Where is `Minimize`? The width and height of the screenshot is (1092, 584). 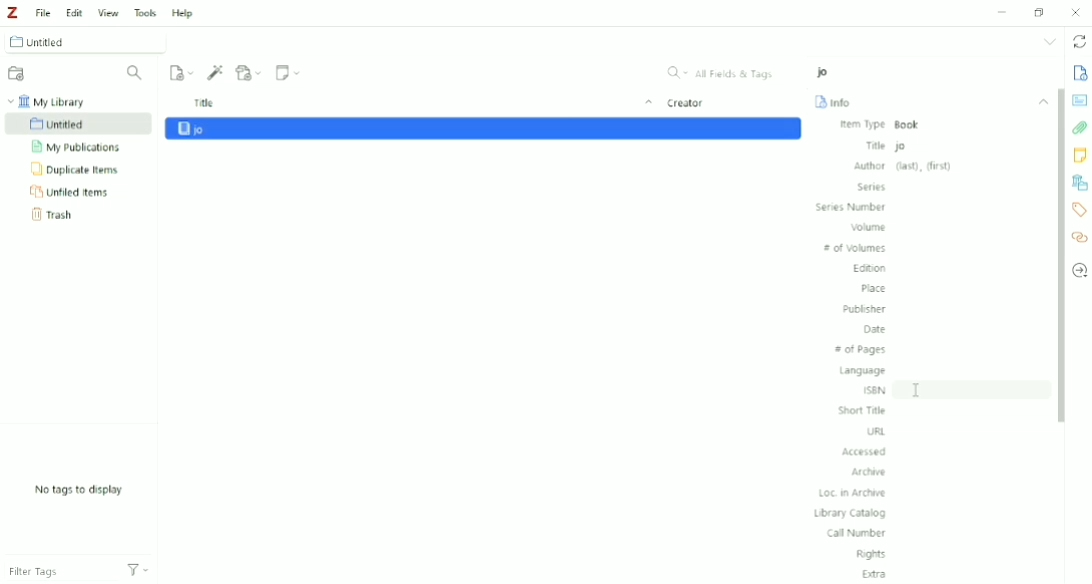
Minimize is located at coordinates (1001, 12).